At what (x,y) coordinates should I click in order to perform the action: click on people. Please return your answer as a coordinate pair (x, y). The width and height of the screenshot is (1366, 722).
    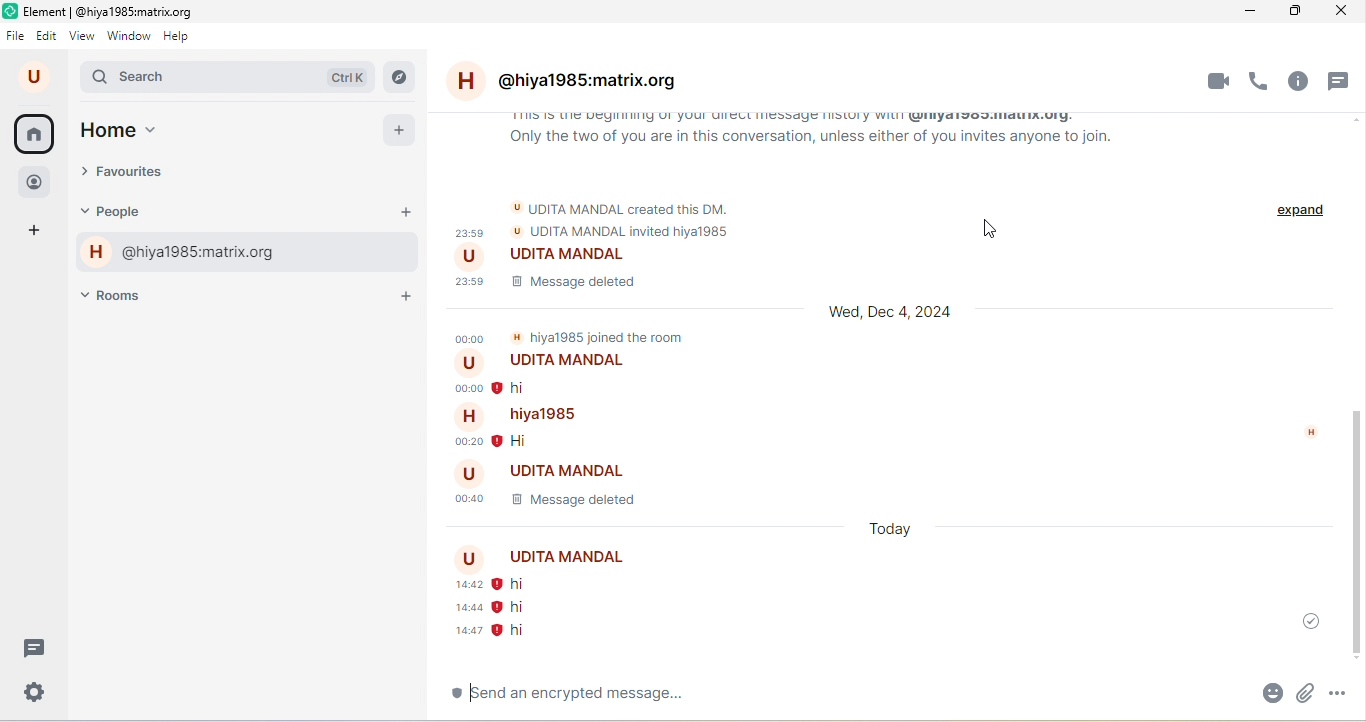
    Looking at the image, I should click on (38, 180).